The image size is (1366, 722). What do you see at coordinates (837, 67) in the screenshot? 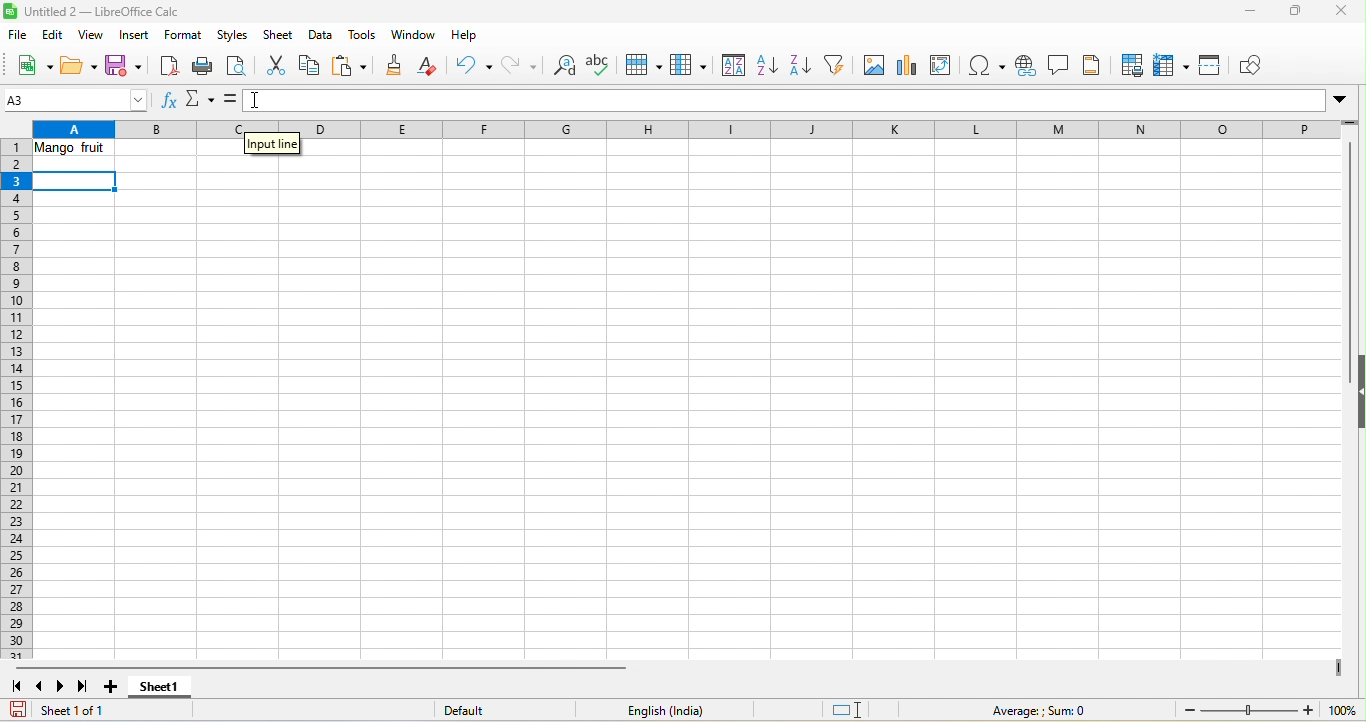
I see `auto filter` at bounding box center [837, 67].